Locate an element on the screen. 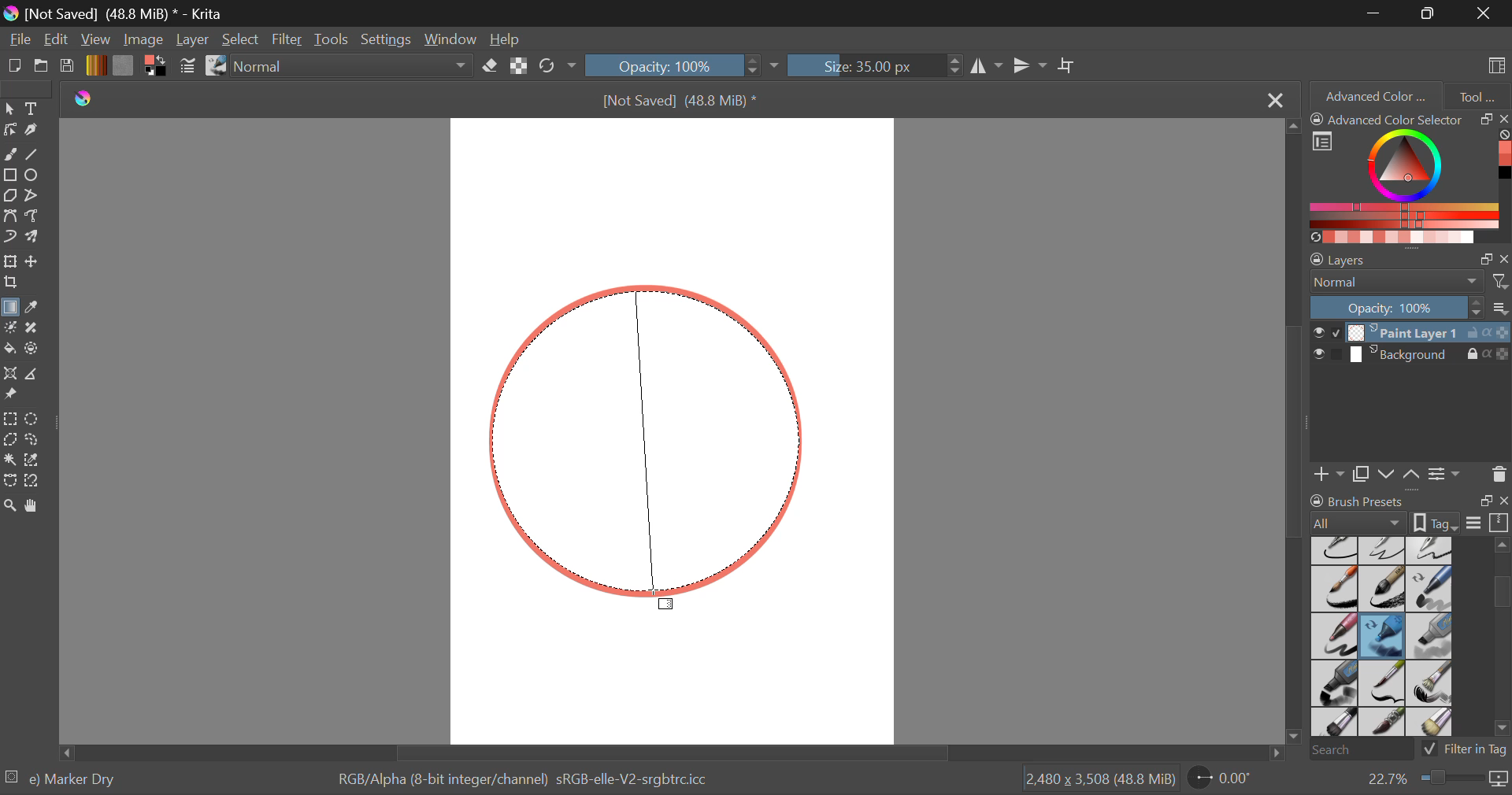 The width and height of the screenshot is (1512, 795). DRAG_TO Cursor Position is located at coordinates (665, 601).